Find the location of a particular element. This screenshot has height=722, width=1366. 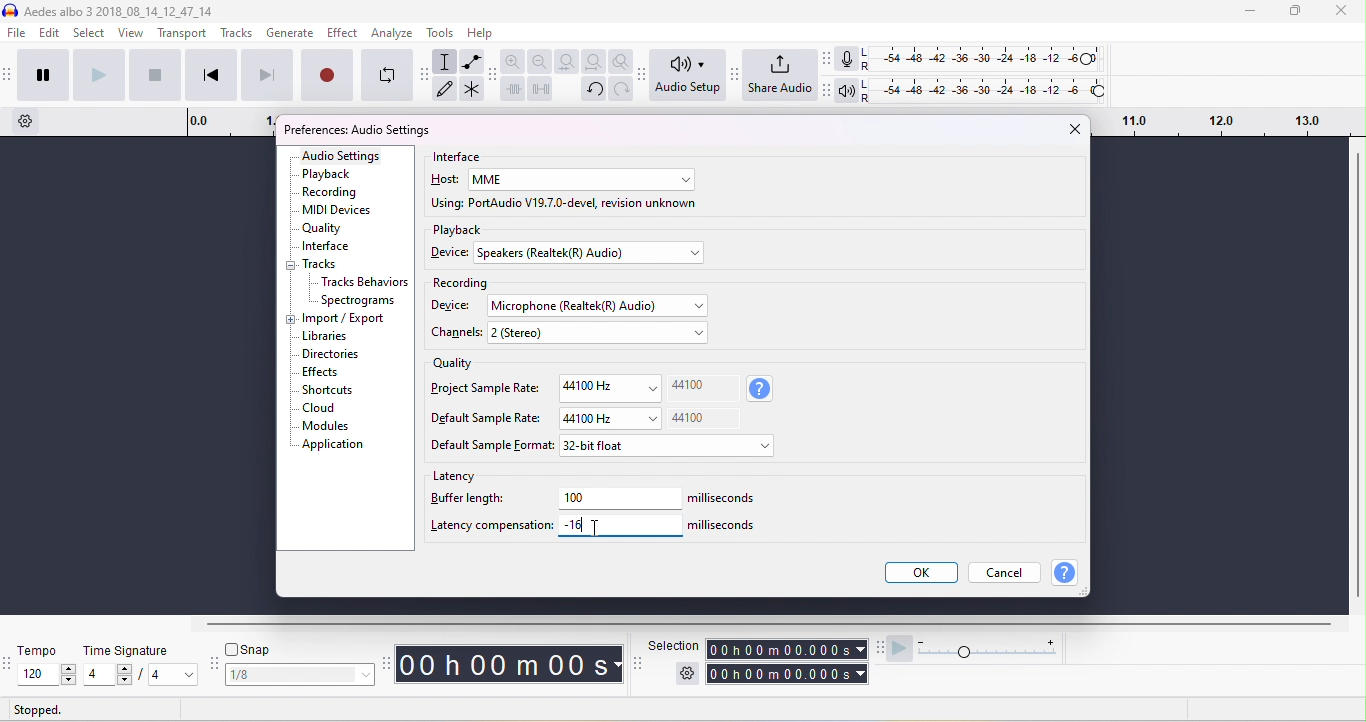

generate is located at coordinates (291, 34).